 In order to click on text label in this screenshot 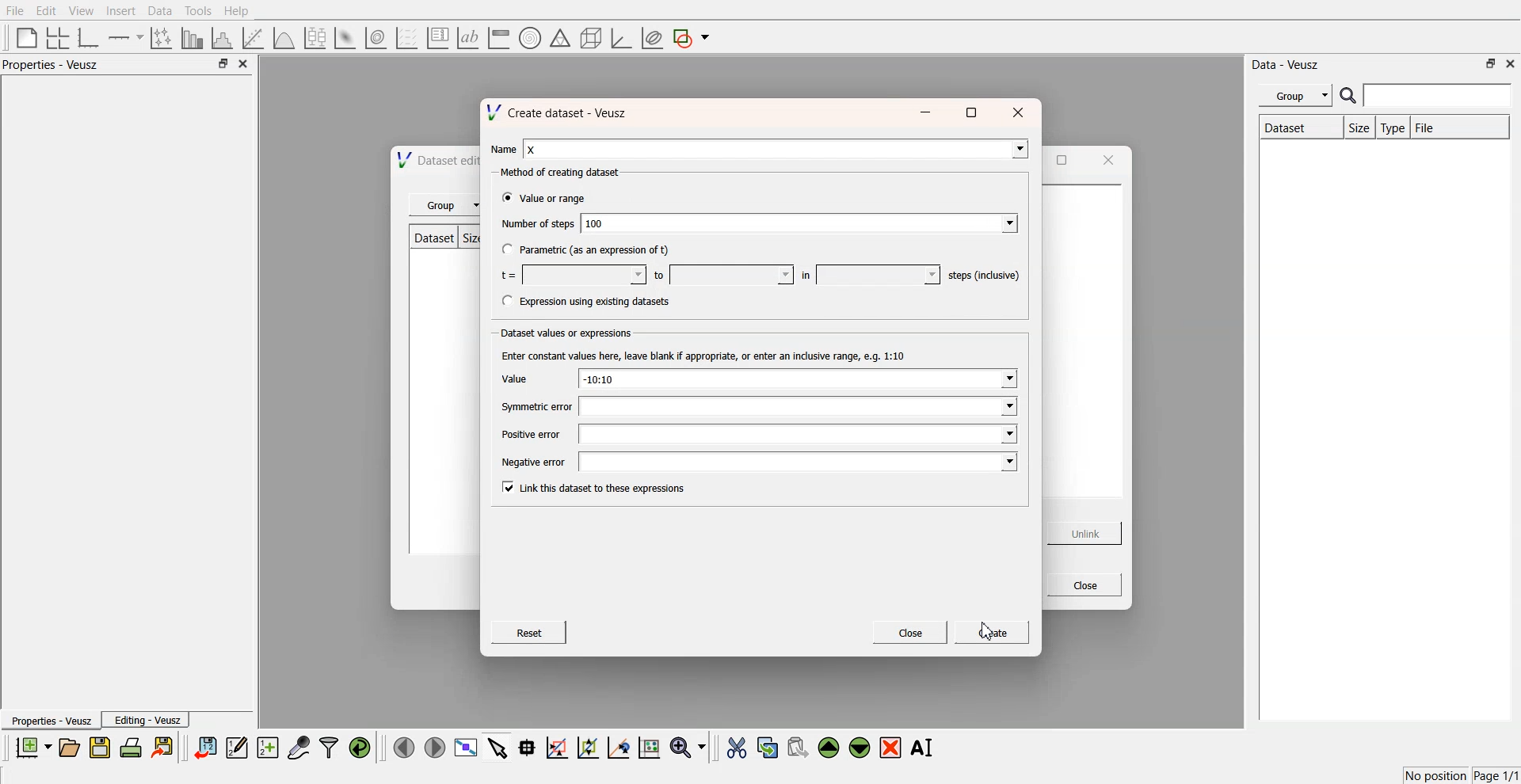, I will do `click(466, 38)`.